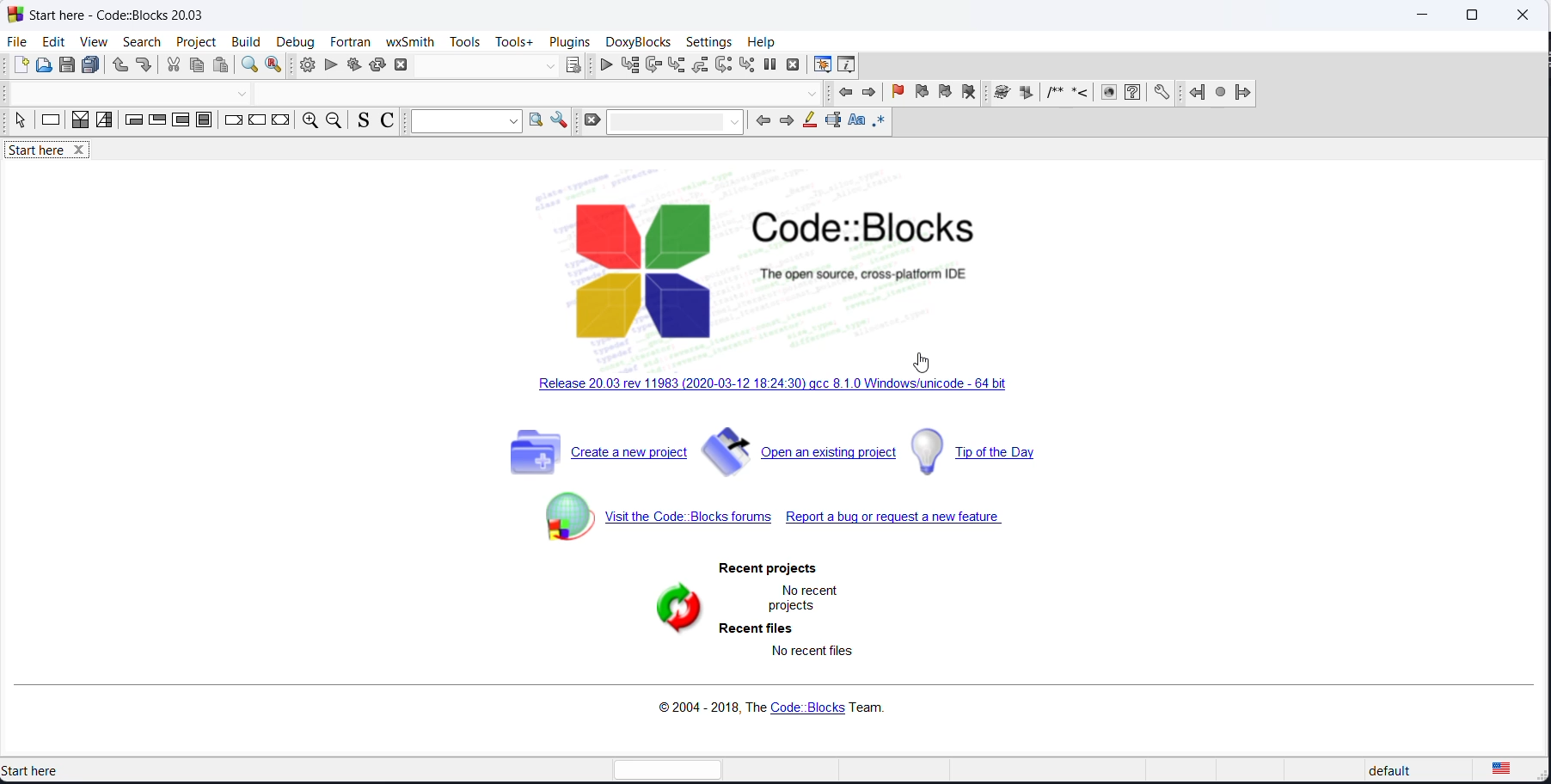  What do you see at coordinates (561, 121) in the screenshot?
I see `settings` at bounding box center [561, 121].